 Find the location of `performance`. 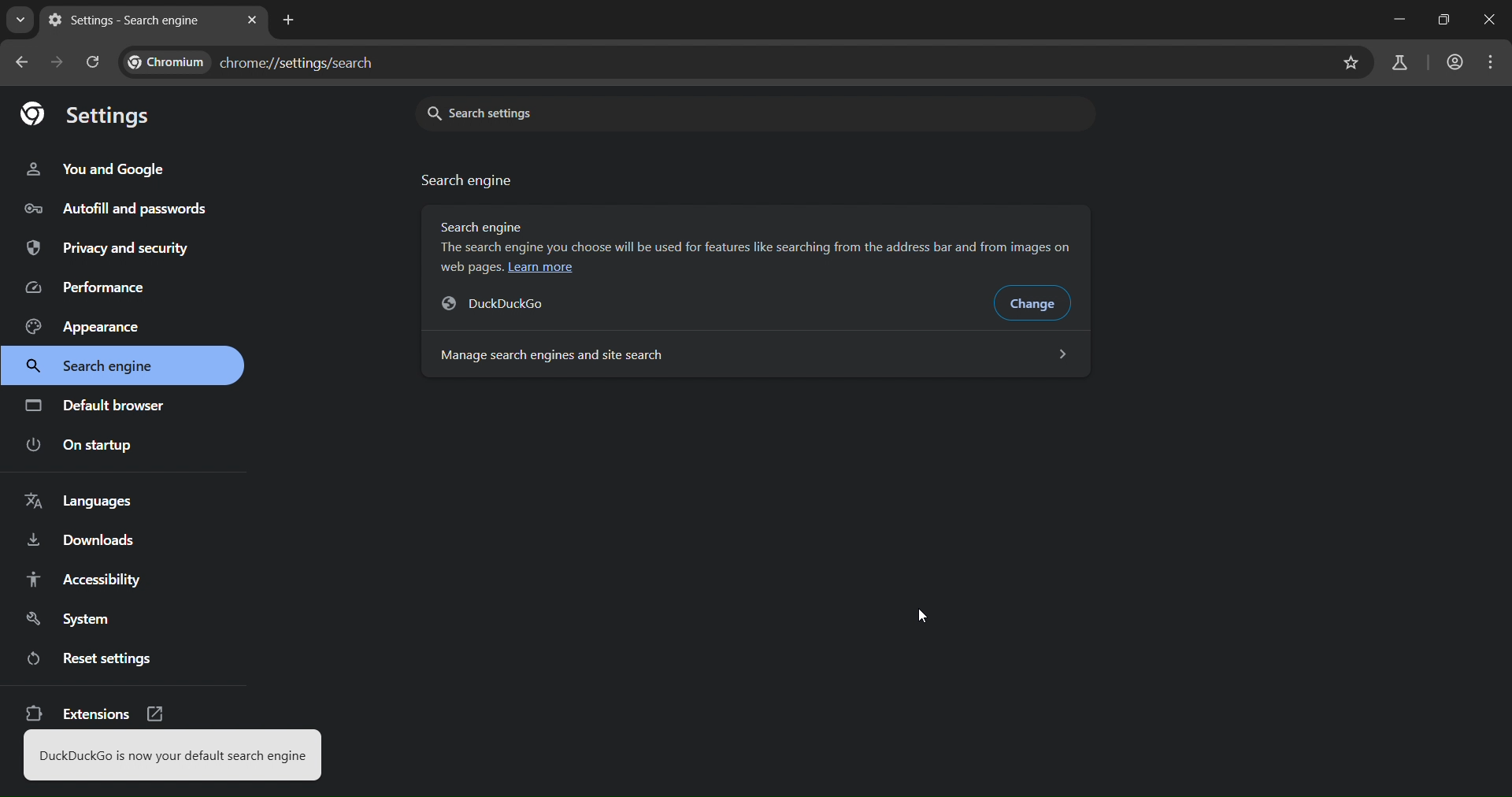

performance is located at coordinates (91, 287).